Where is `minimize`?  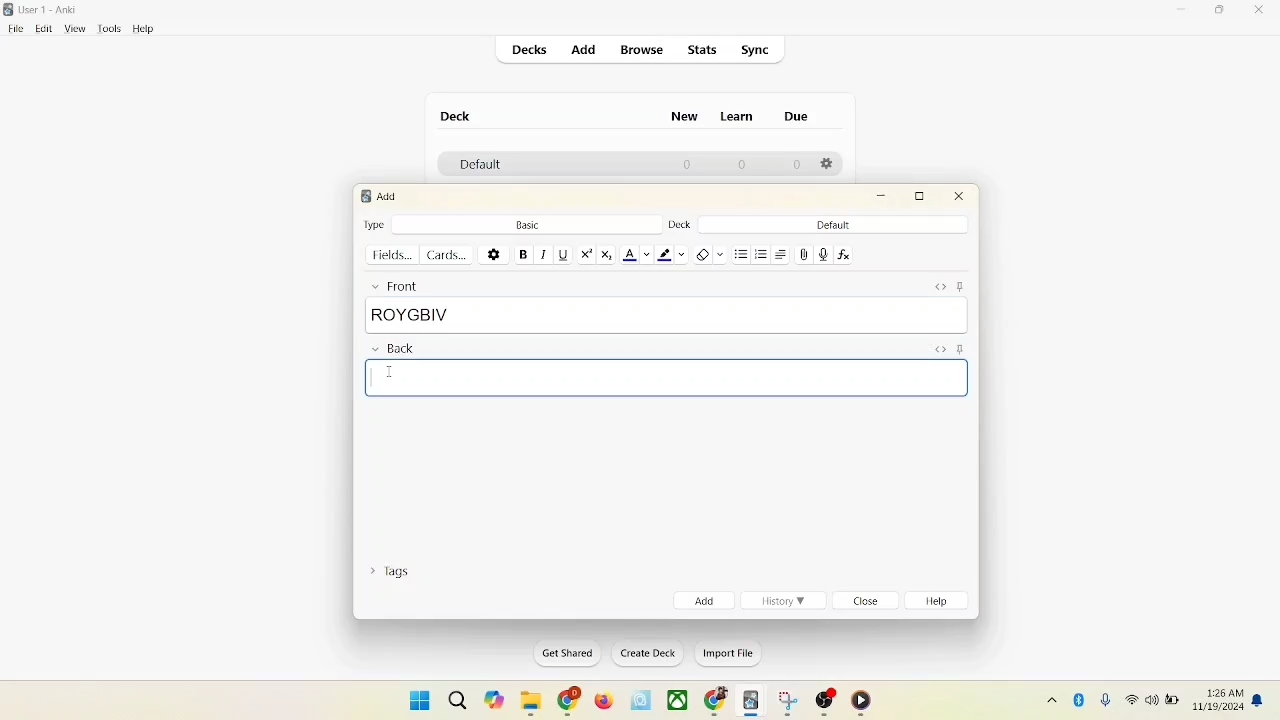
minimize is located at coordinates (883, 197).